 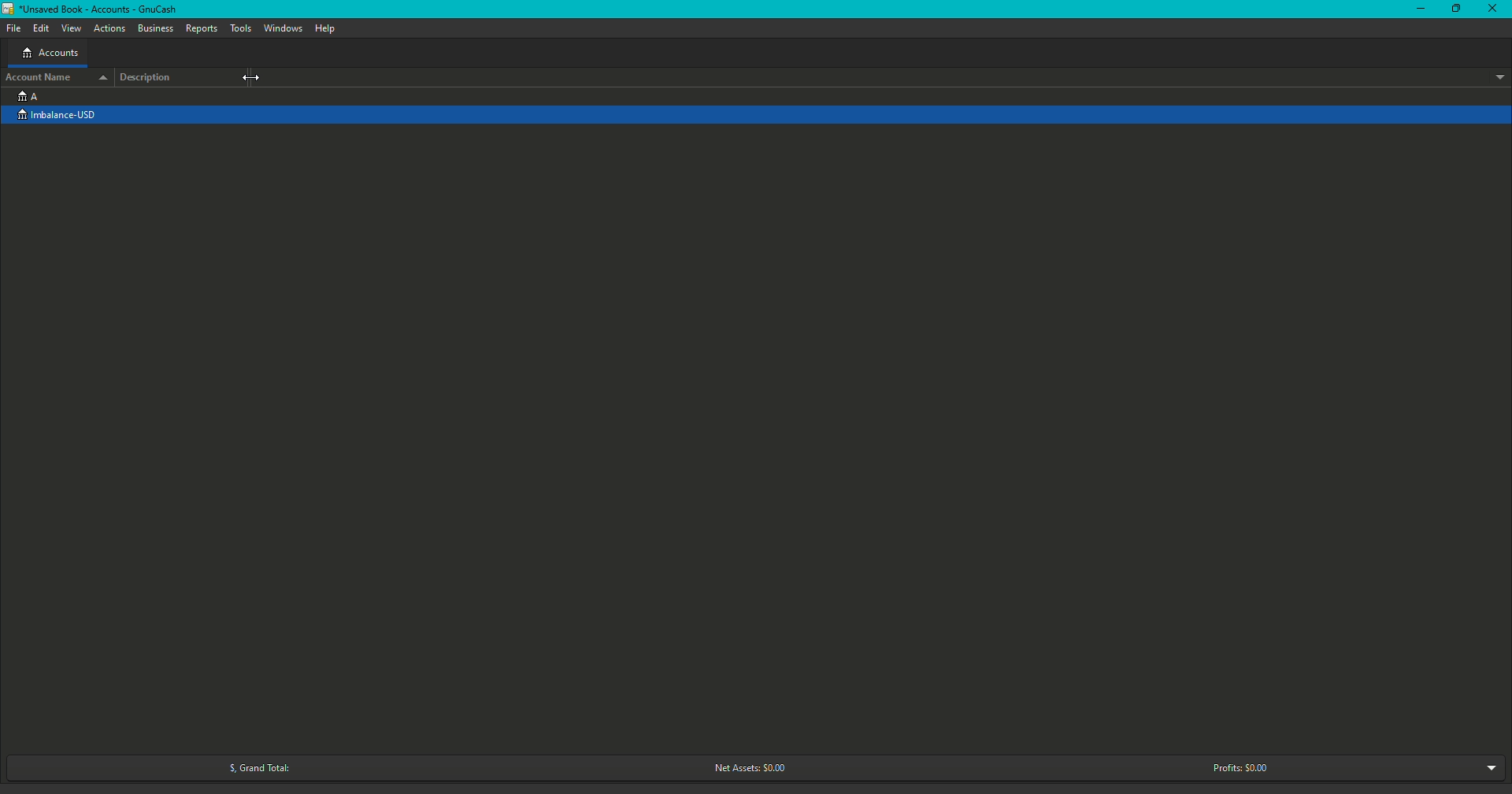 What do you see at coordinates (41, 29) in the screenshot?
I see `Edit` at bounding box center [41, 29].